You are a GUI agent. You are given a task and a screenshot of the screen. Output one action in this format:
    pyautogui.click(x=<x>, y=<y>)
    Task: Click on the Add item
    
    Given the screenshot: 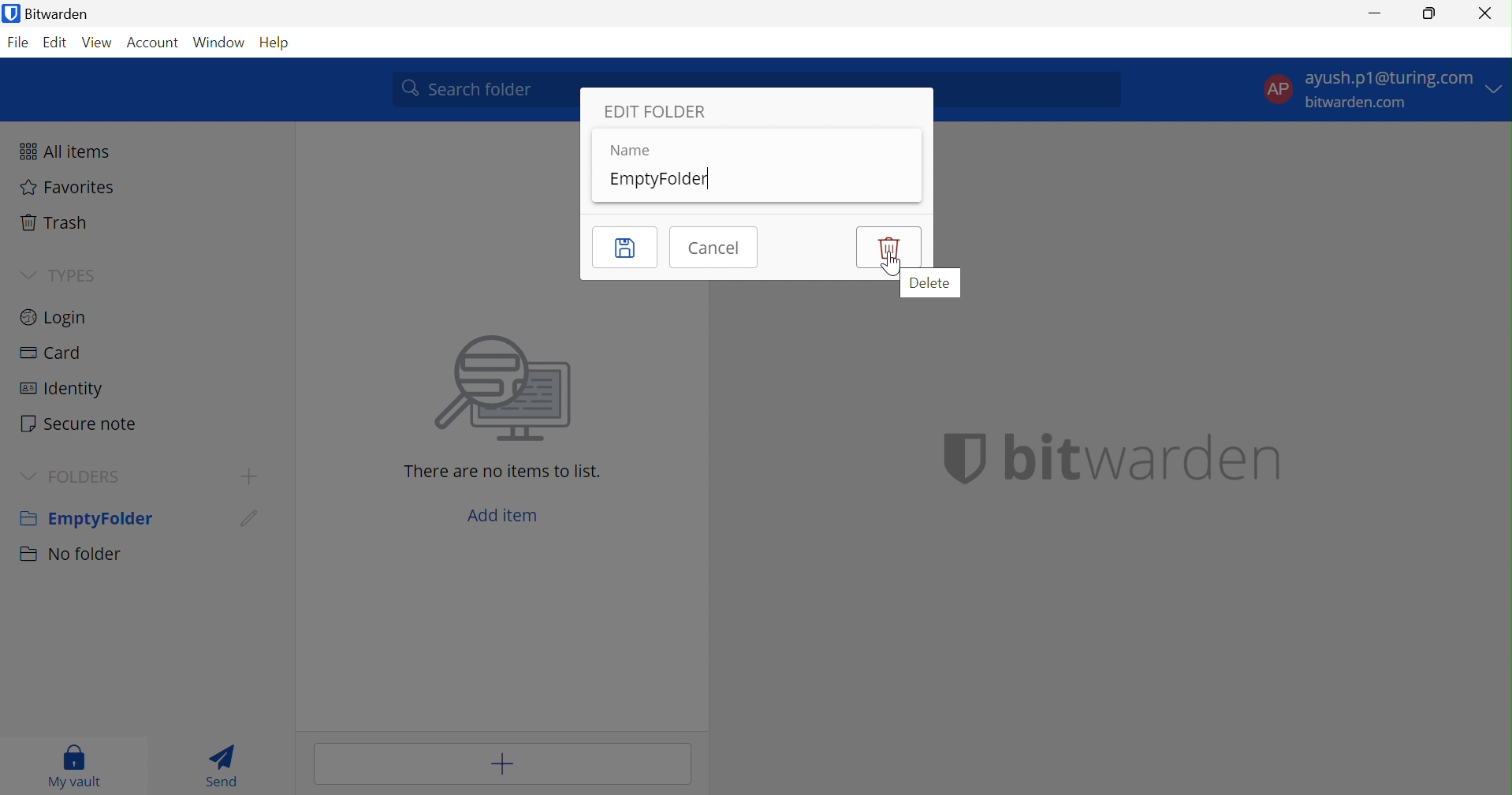 What is the action you would take?
    pyautogui.click(x=506, y=763)
    